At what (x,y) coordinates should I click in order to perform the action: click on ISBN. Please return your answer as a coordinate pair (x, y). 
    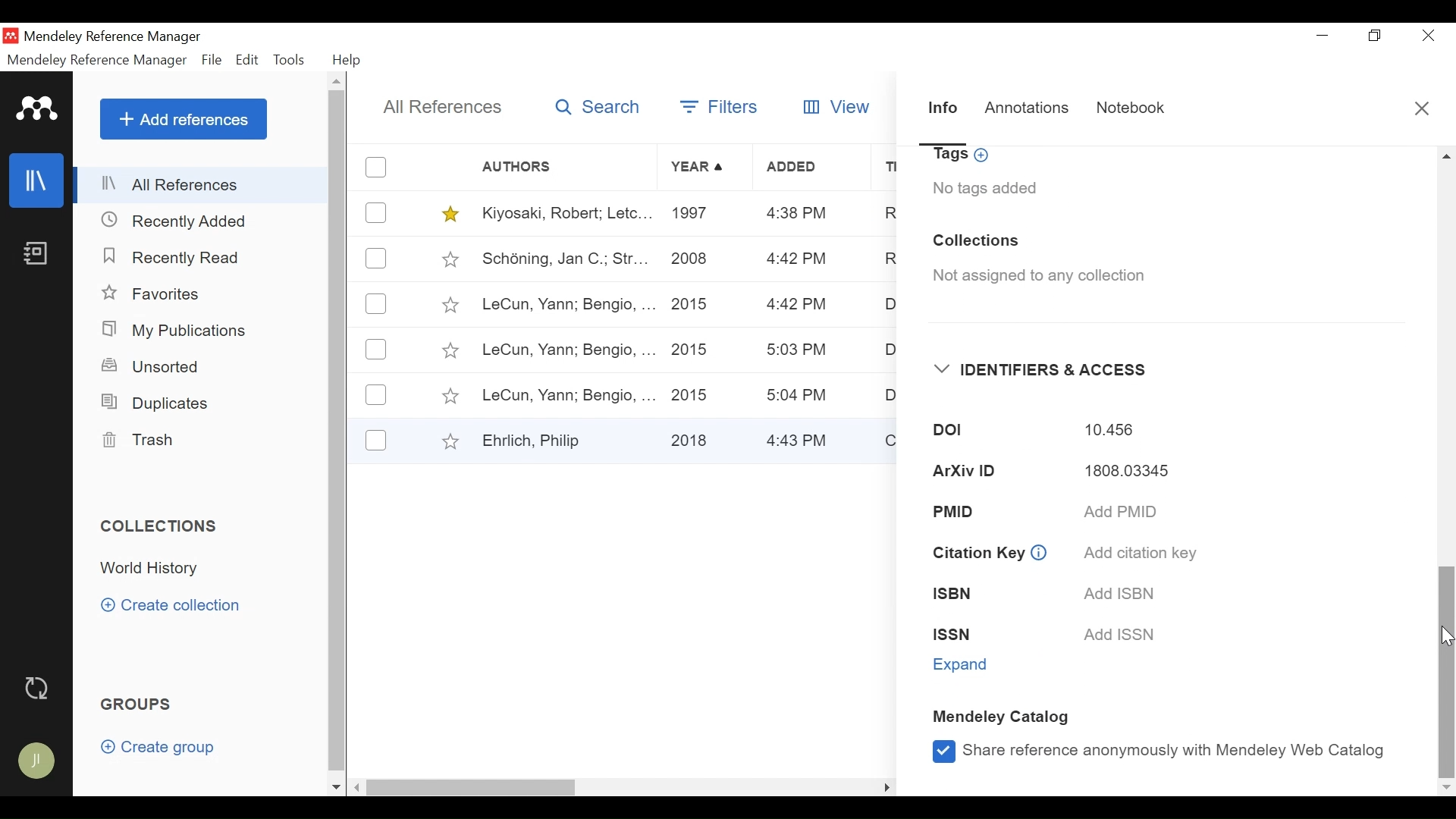
    Looking at the image, I should click on (962, 595).